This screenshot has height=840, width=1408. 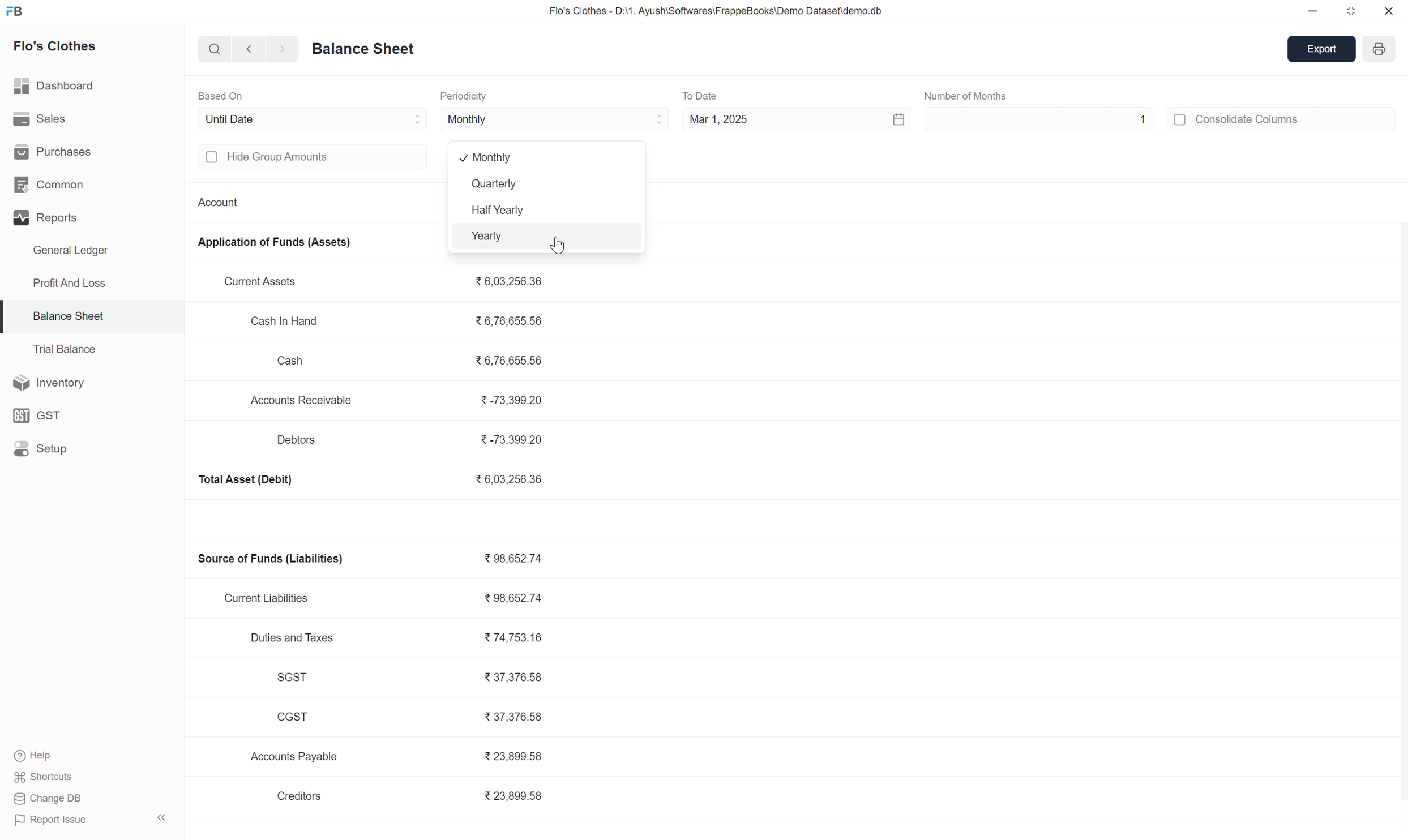 I want to click on 6,03,256.36, so click(x=513, y=281).